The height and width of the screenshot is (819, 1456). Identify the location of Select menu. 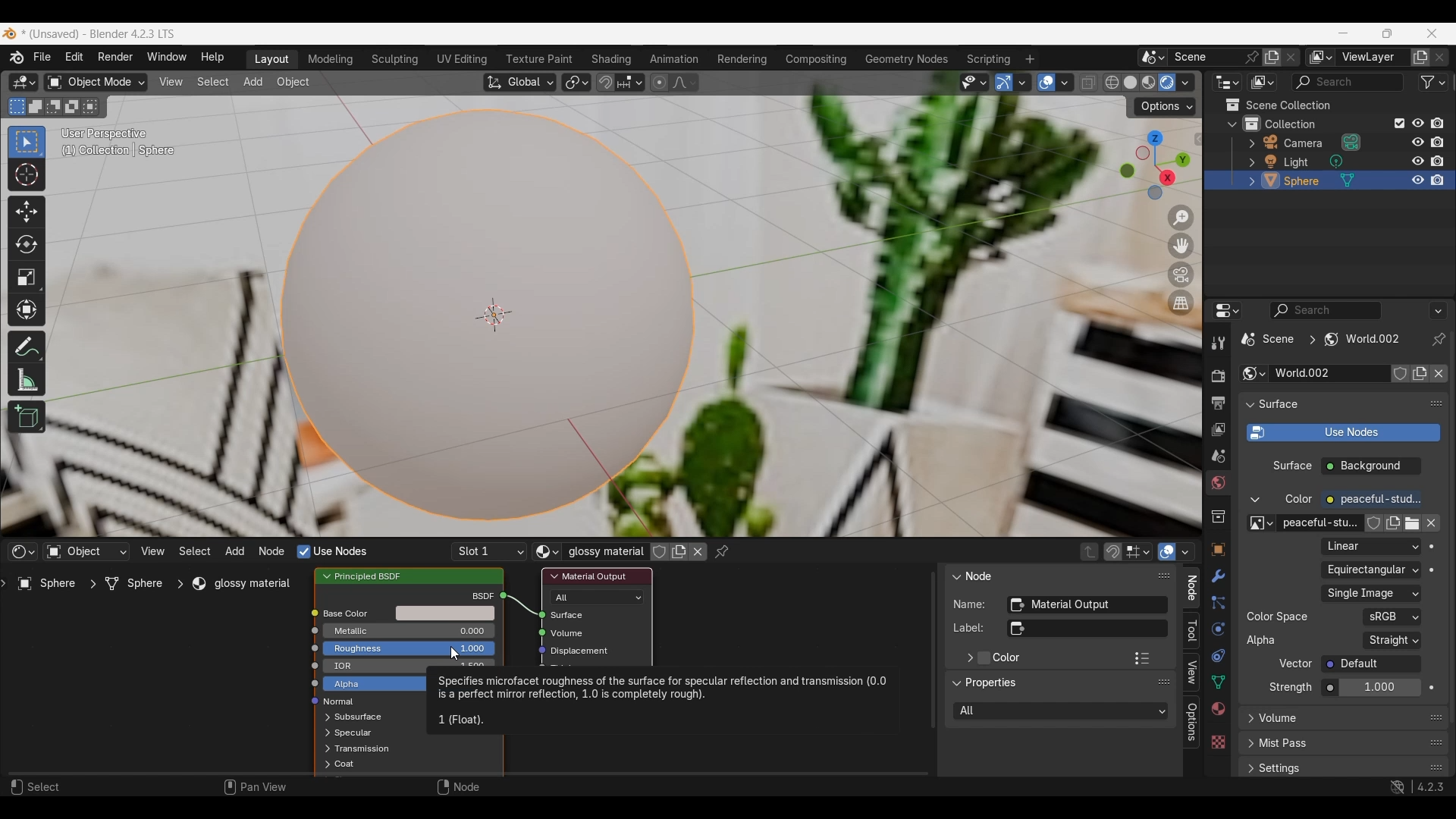
(213, 82).